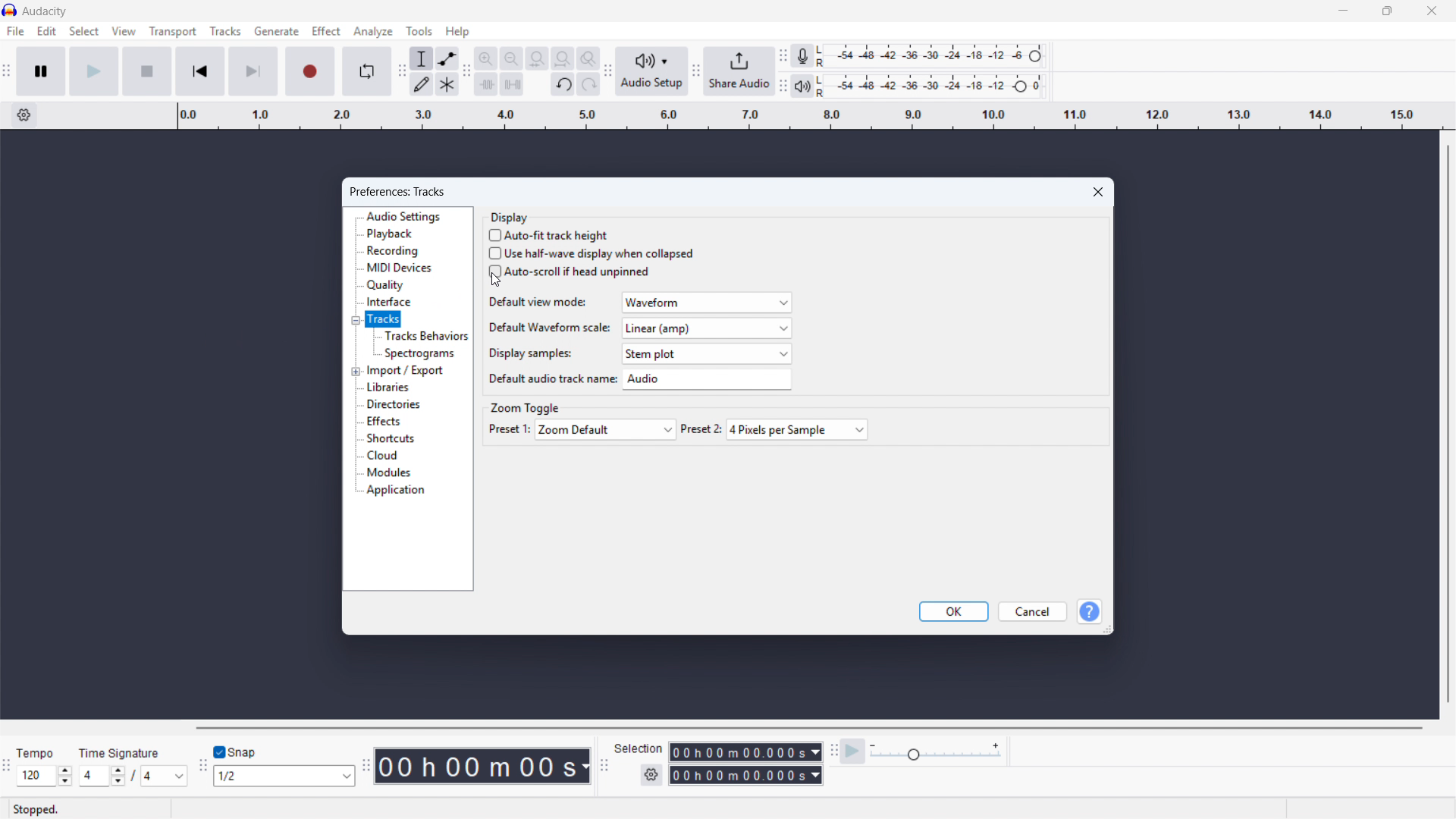 The width and height of the screenshot is (1456, 819). What do you see at coordinates (935, 85) in the screenshot?
I see `playback level` at bounding box center [935, 85].